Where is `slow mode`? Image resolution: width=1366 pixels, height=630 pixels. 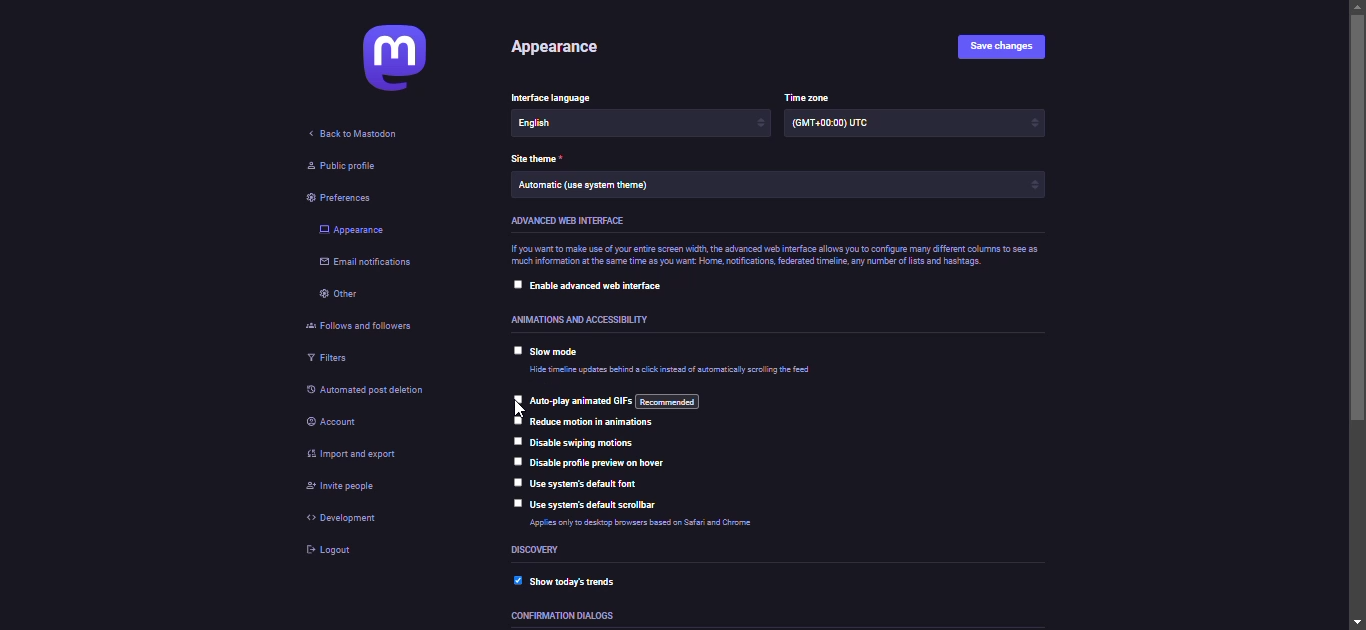
slow mode is located at coordinates (555, 353).